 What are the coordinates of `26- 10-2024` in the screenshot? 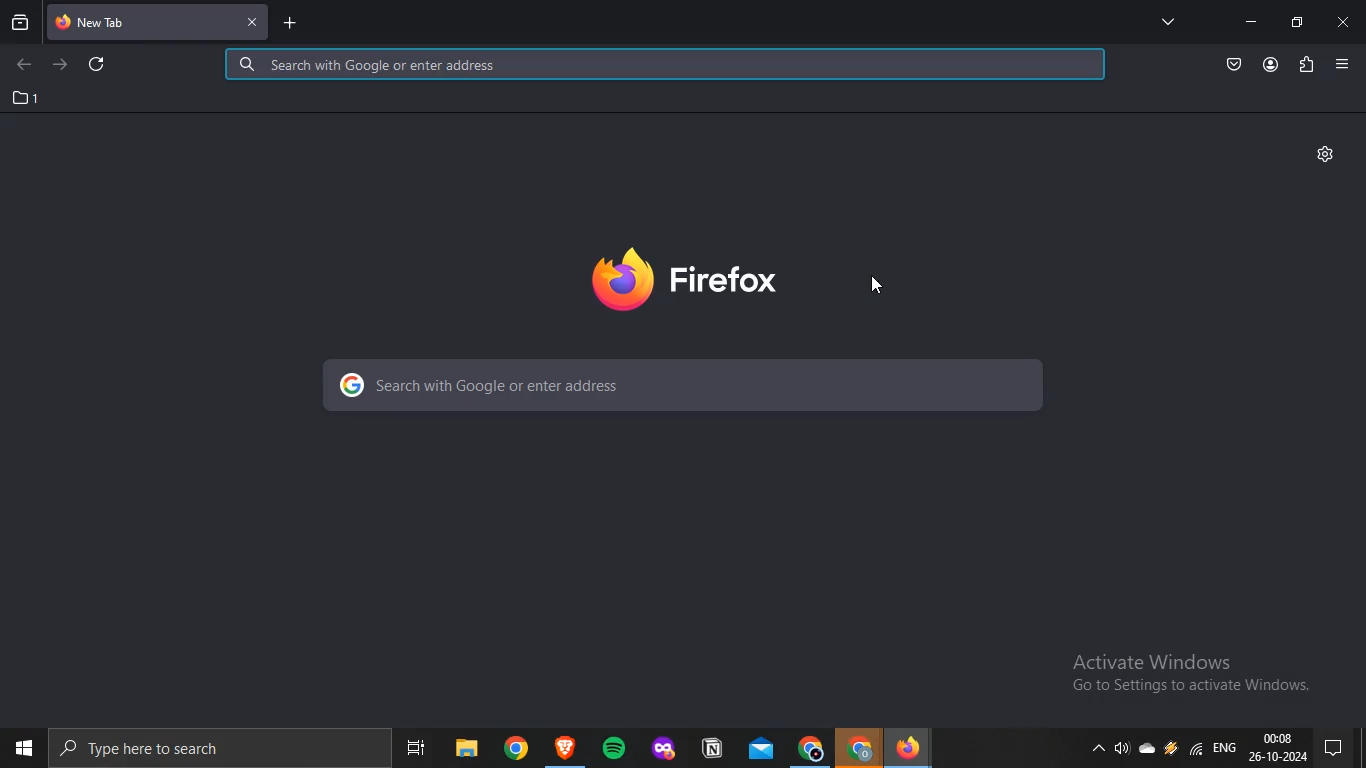 It's located at (1280, 758).